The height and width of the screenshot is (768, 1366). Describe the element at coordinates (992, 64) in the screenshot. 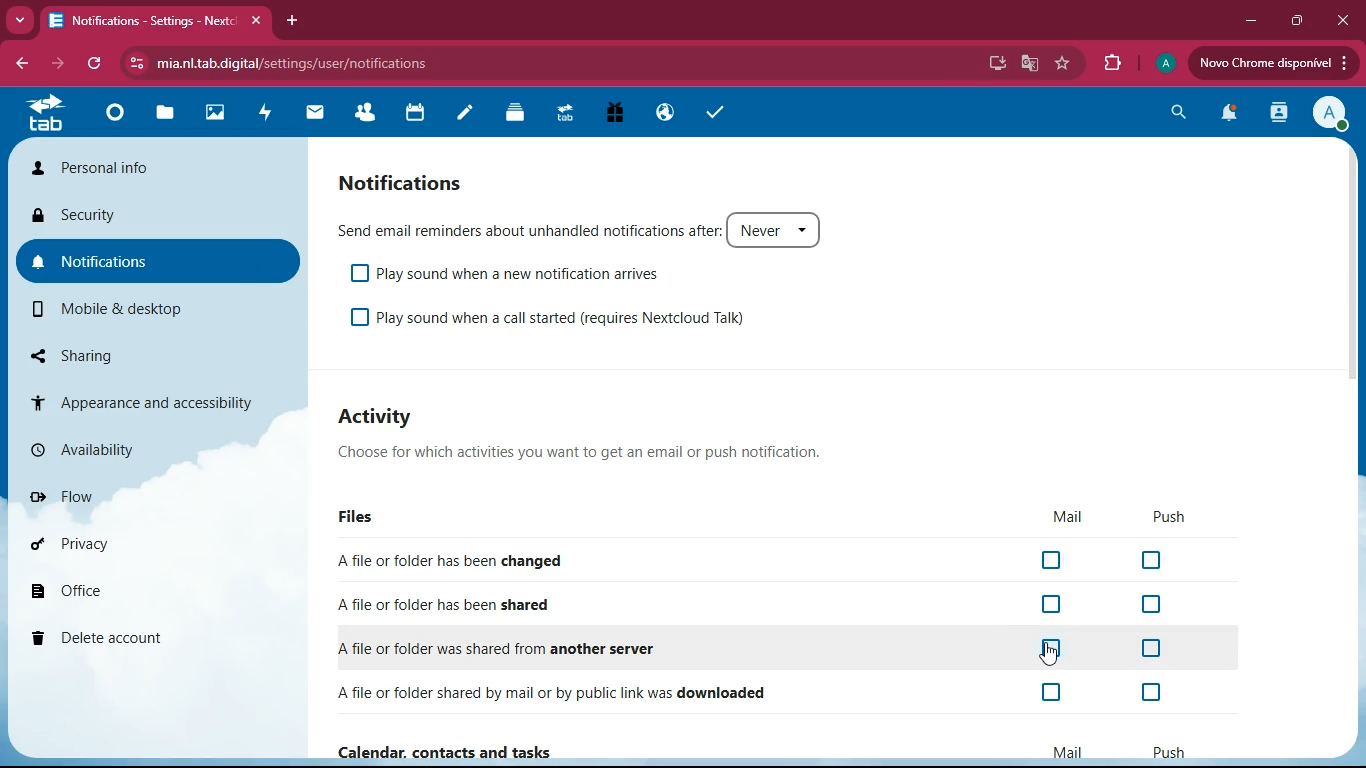

I see `desktop` at that location.